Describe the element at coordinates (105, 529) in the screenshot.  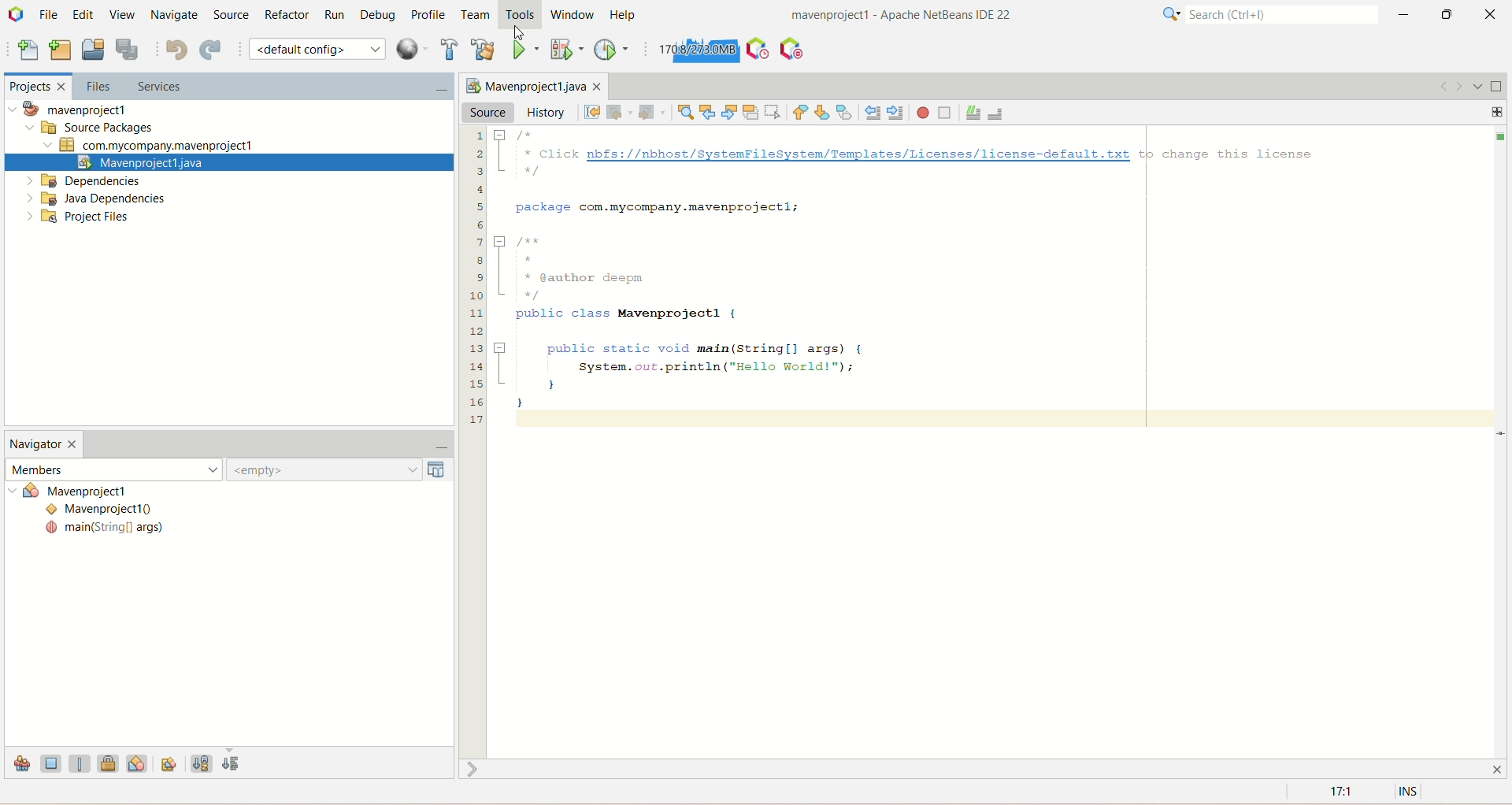
I see `main(String[] args)` at that location.